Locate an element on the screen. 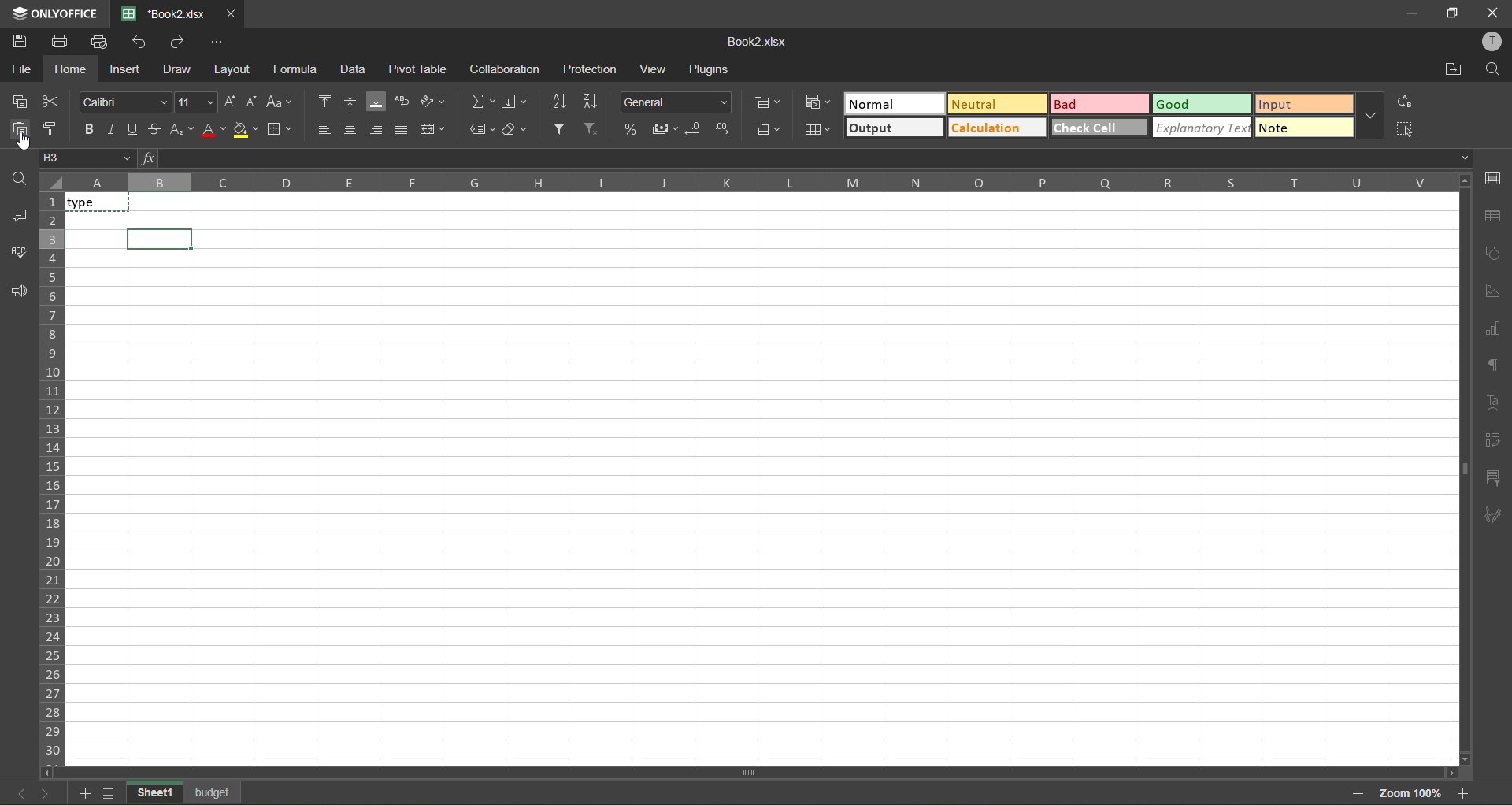 This screenshot has height=805, width=1512. undo is located at coordinates (140, 43).